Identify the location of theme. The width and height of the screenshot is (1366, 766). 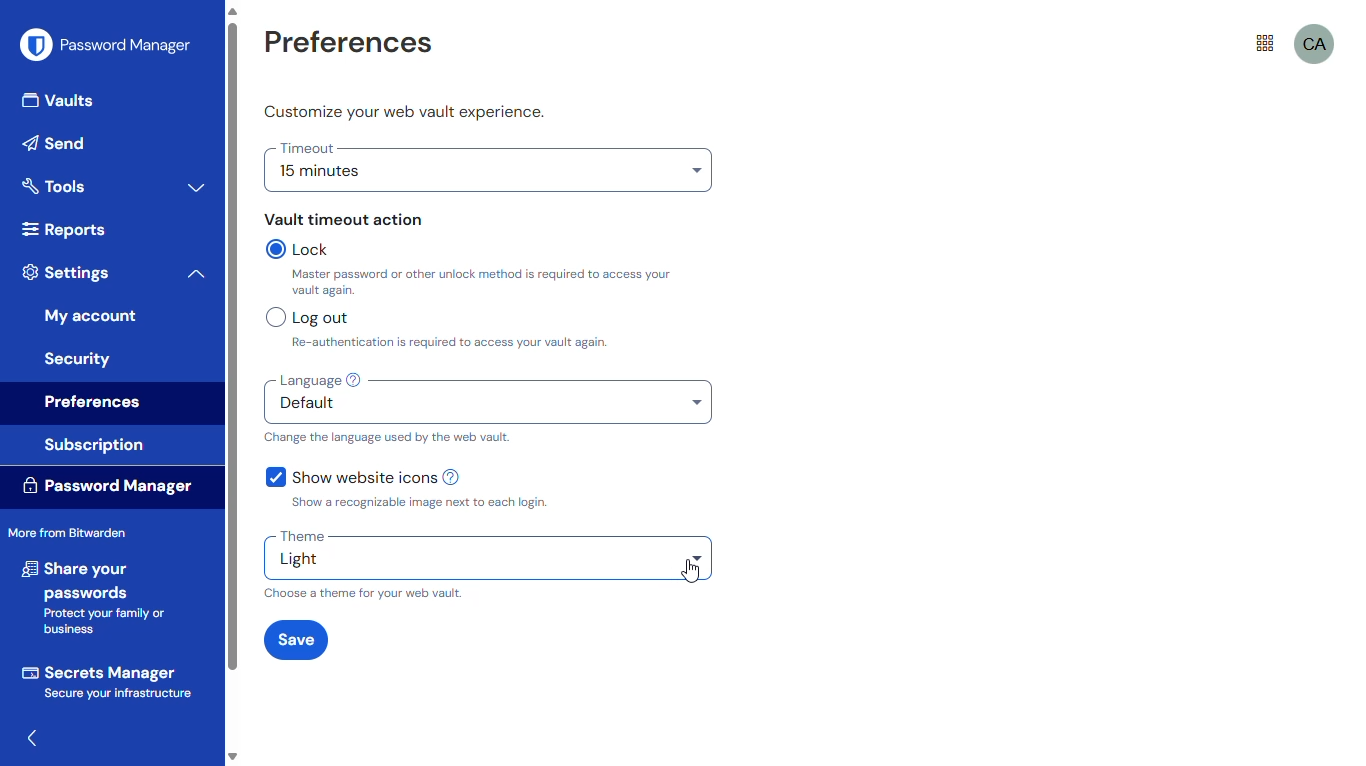
(302, 536).